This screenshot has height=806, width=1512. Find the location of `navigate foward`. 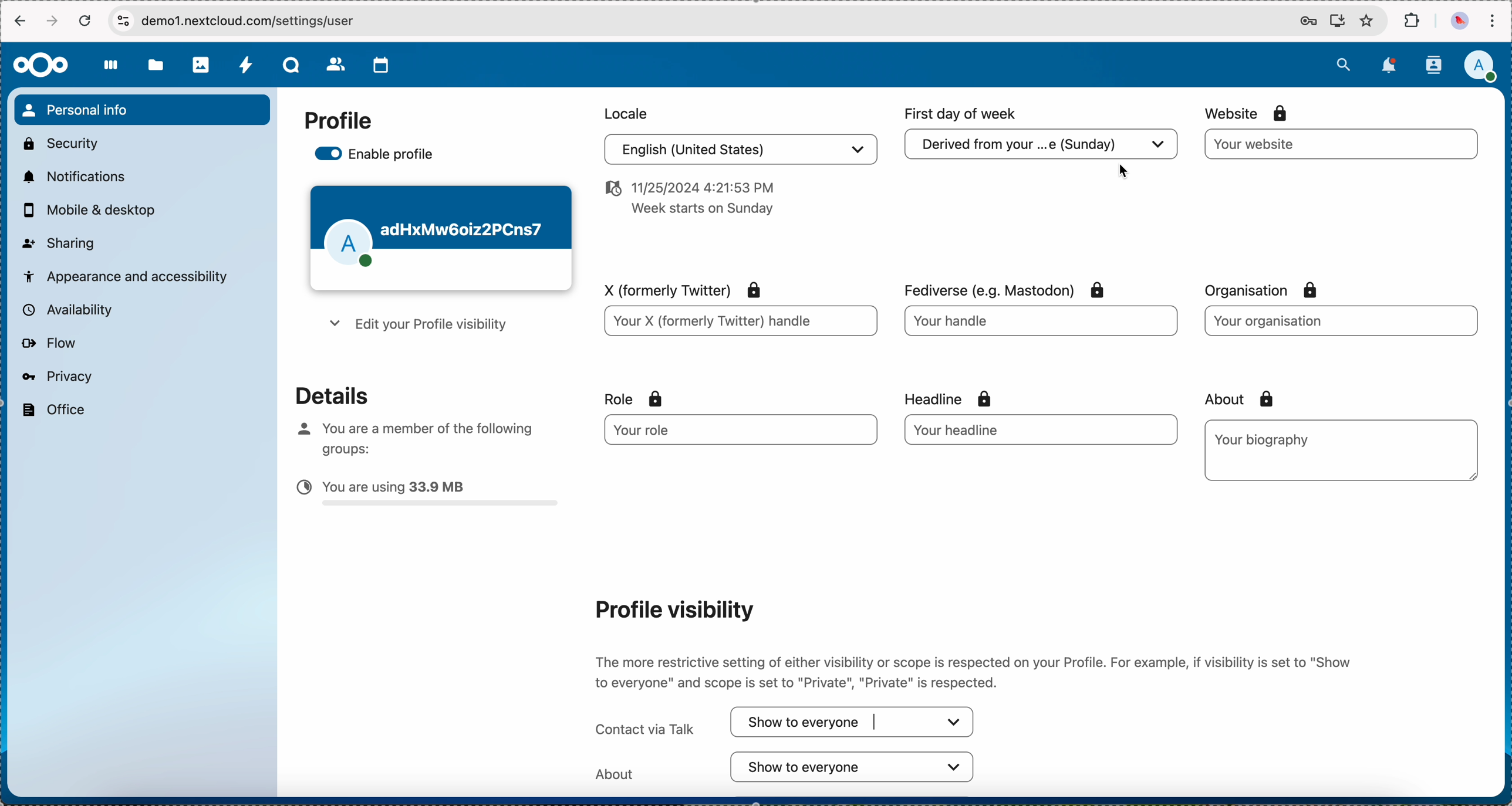

navigate foward is located at coordinates (54, 21).